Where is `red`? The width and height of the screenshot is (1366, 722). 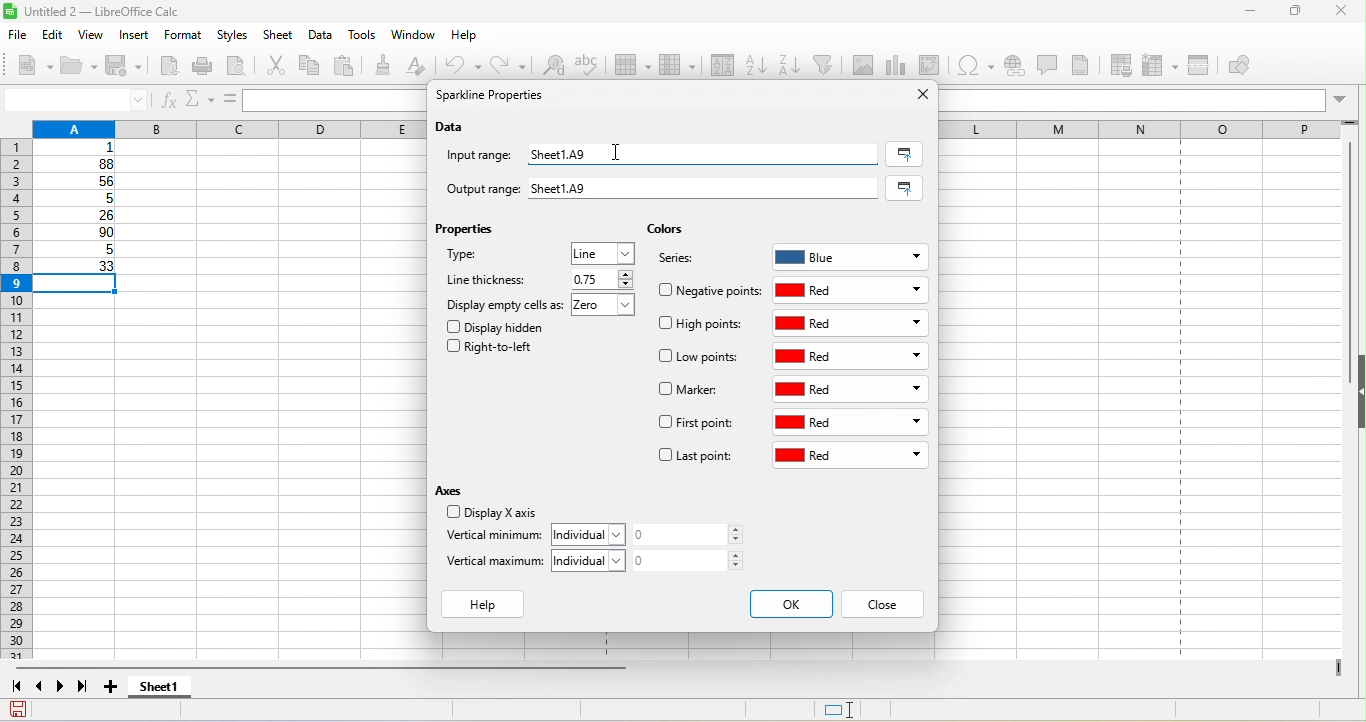
red is located at coordinates (850, 457).